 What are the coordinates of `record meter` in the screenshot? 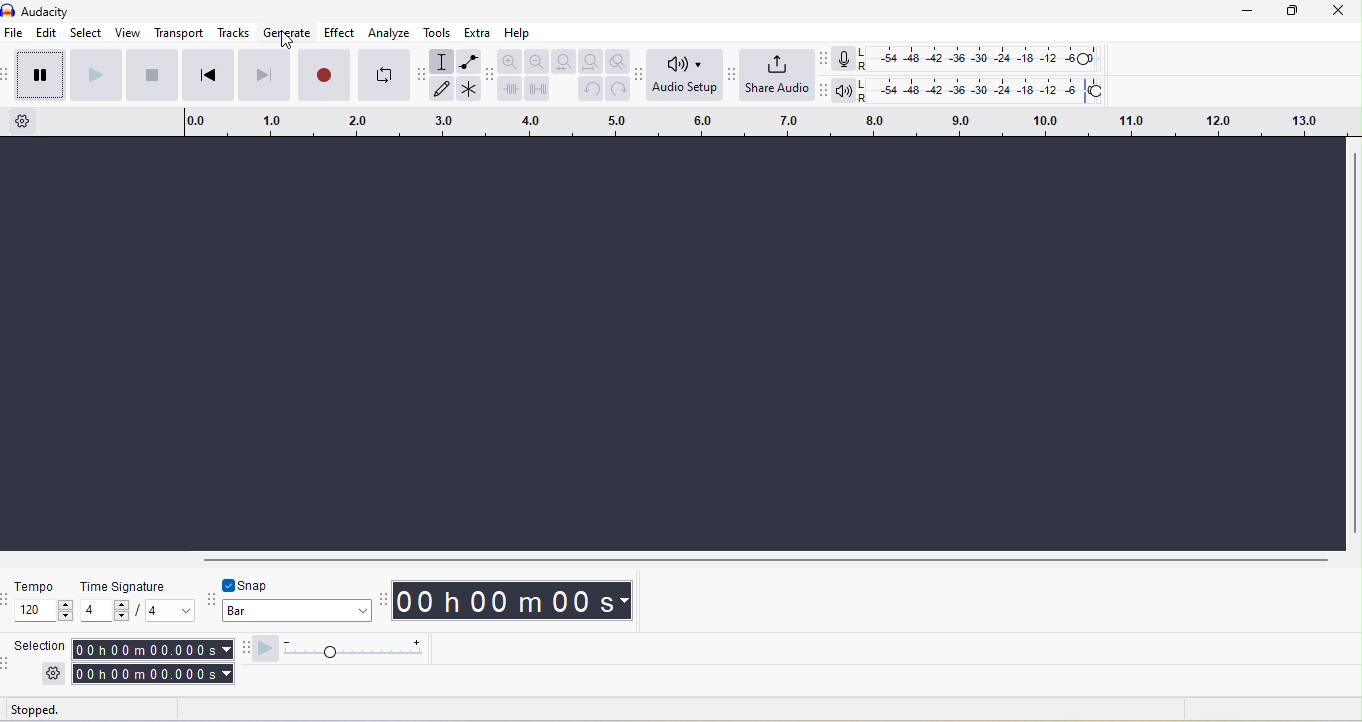 It's located at (848, 58).